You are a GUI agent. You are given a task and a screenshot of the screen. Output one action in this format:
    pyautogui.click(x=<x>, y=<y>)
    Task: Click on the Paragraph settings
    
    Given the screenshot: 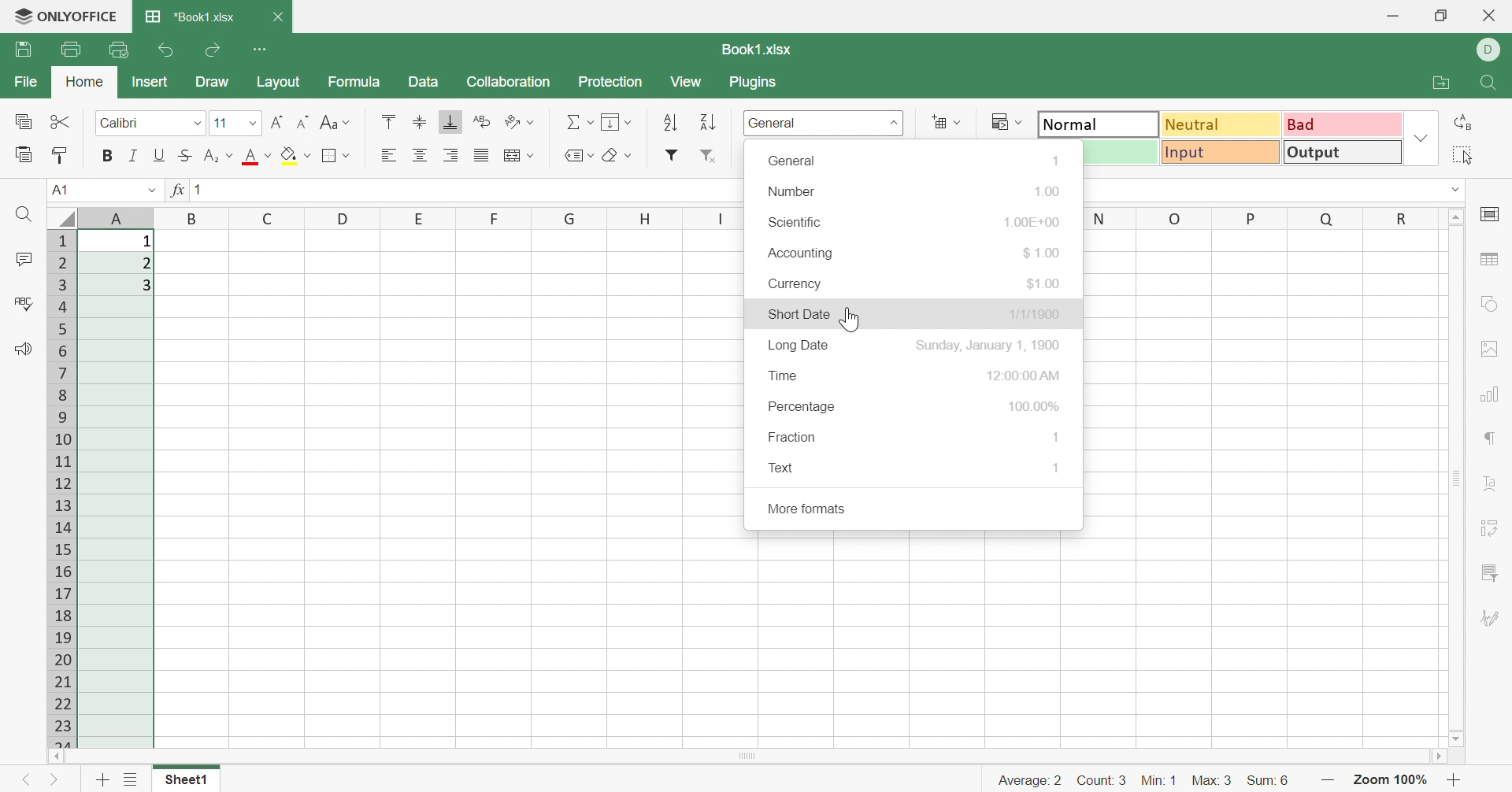 What is the action you would take?
    pyautogui.click(x=1491, y=440)
    